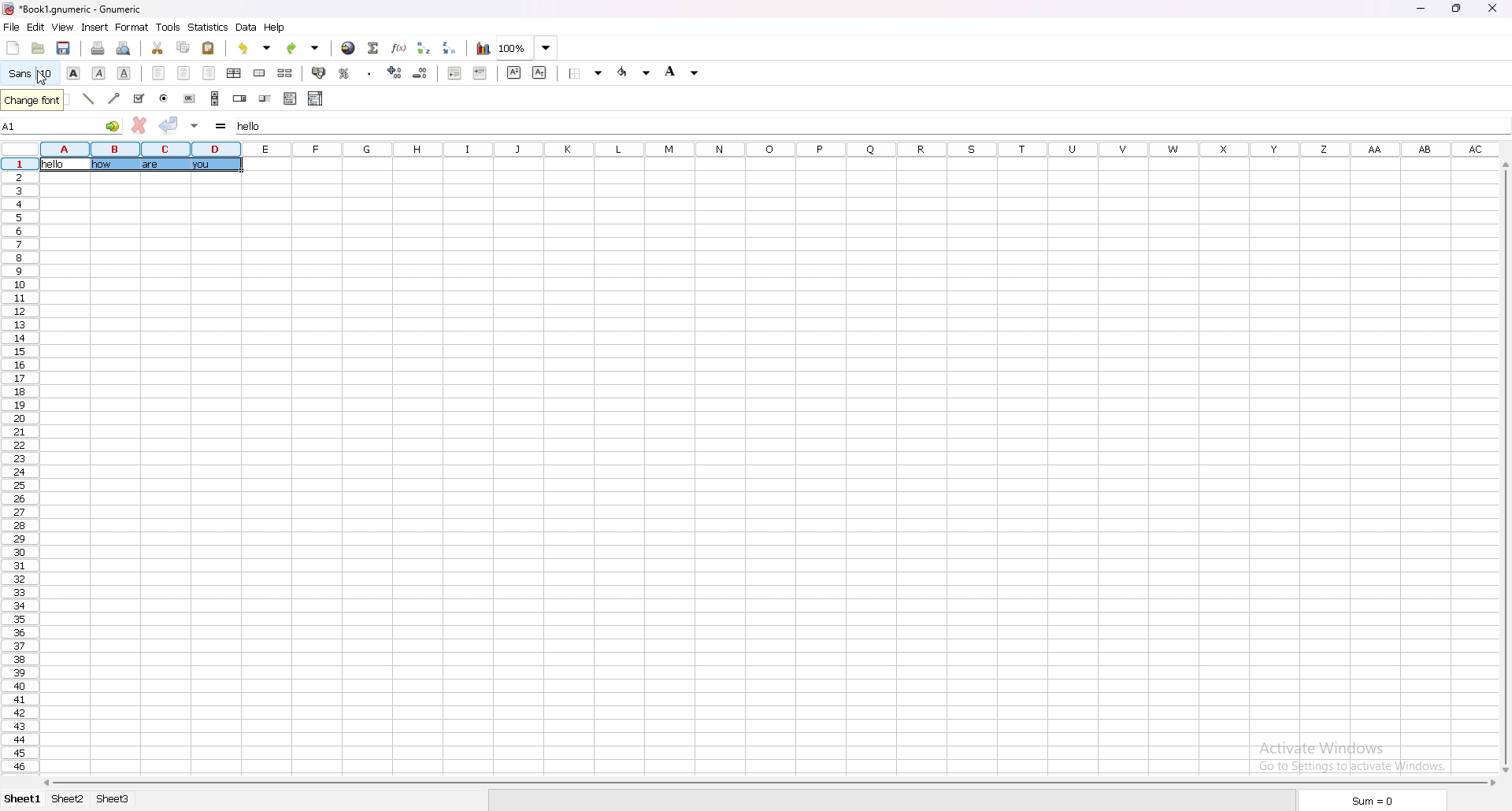 The image size is (1512, 811). I want to click on sort ascending, so click(425, 46).